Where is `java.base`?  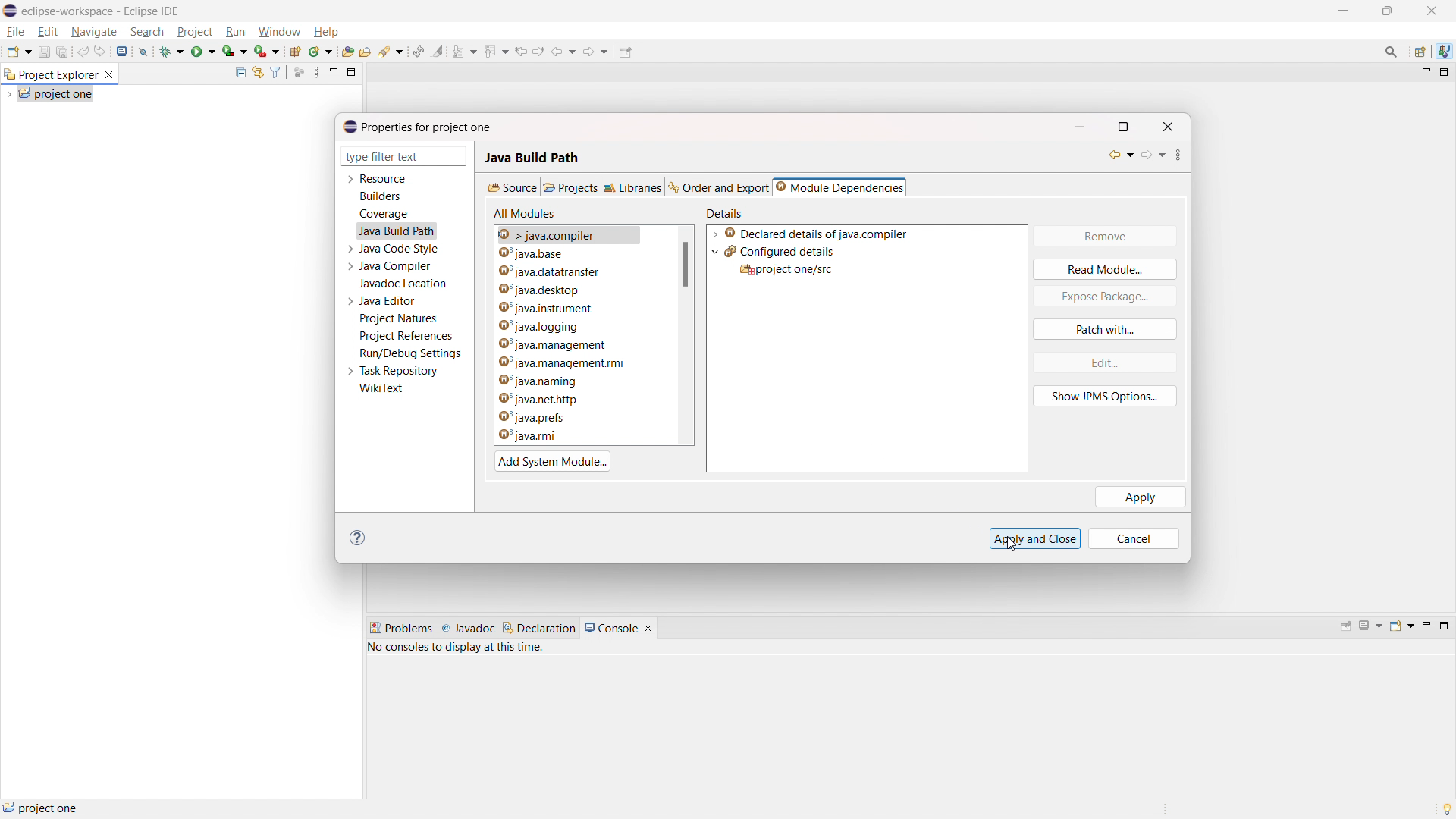 java.base is located at coordinates (585, 234).